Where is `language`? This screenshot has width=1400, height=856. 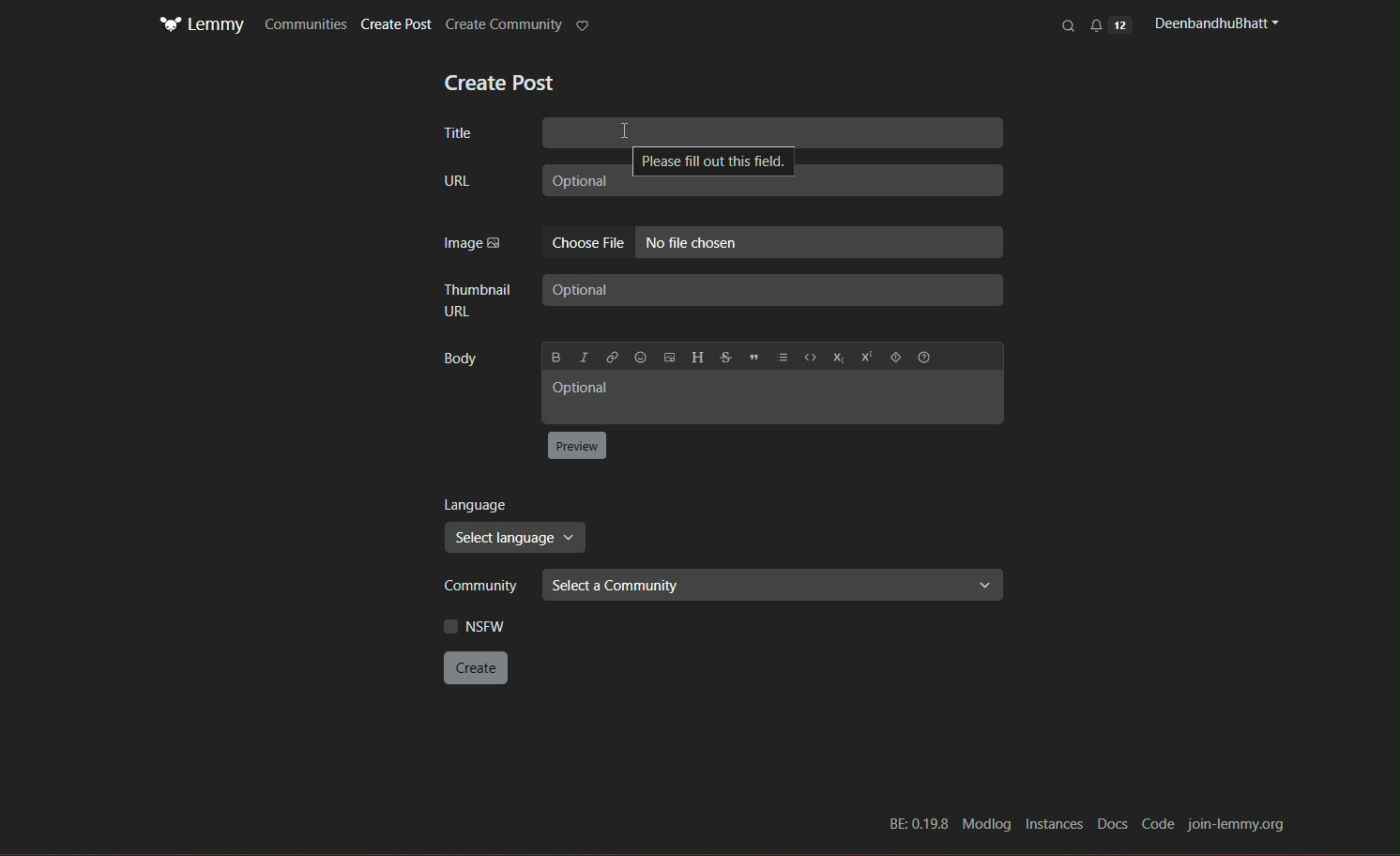 language is located at coordinates (481, 507).